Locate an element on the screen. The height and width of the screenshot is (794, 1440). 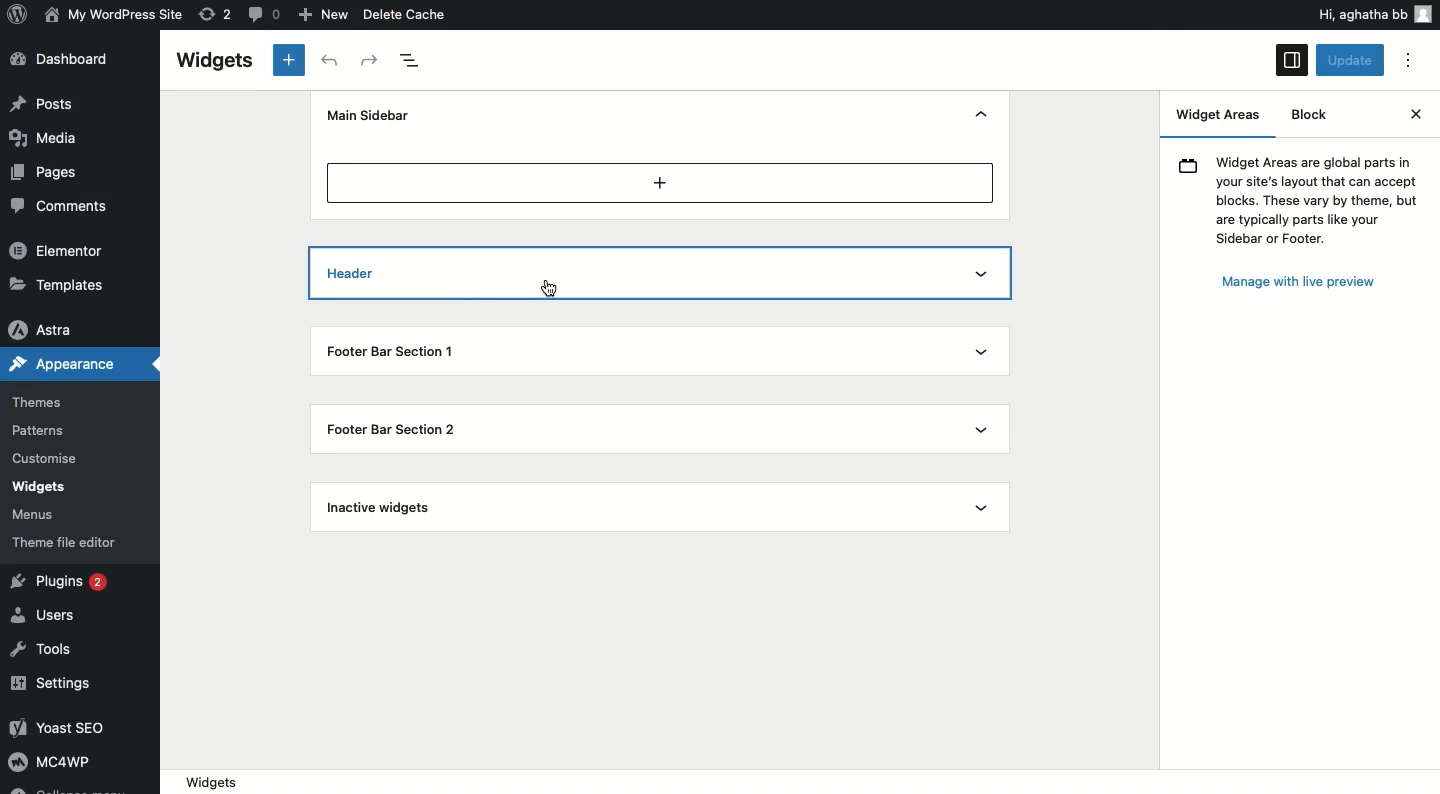
Add is located at coordinates (661, 182).